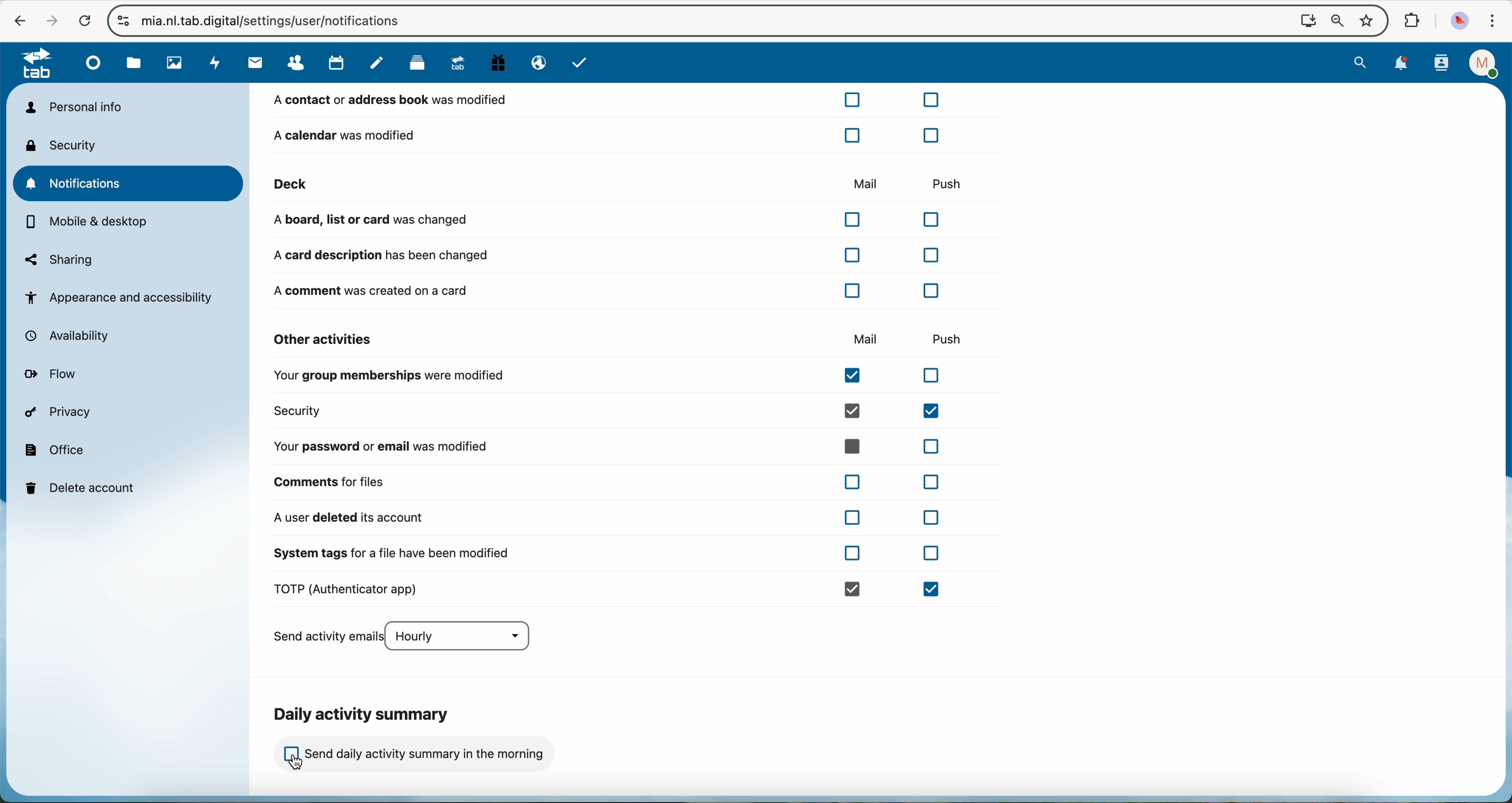 The image size is (1512, 803). What do you see at coordinates (121, 297) in the screenshot?
I see `appearance and accessibility` at bounding box center [121, 297].